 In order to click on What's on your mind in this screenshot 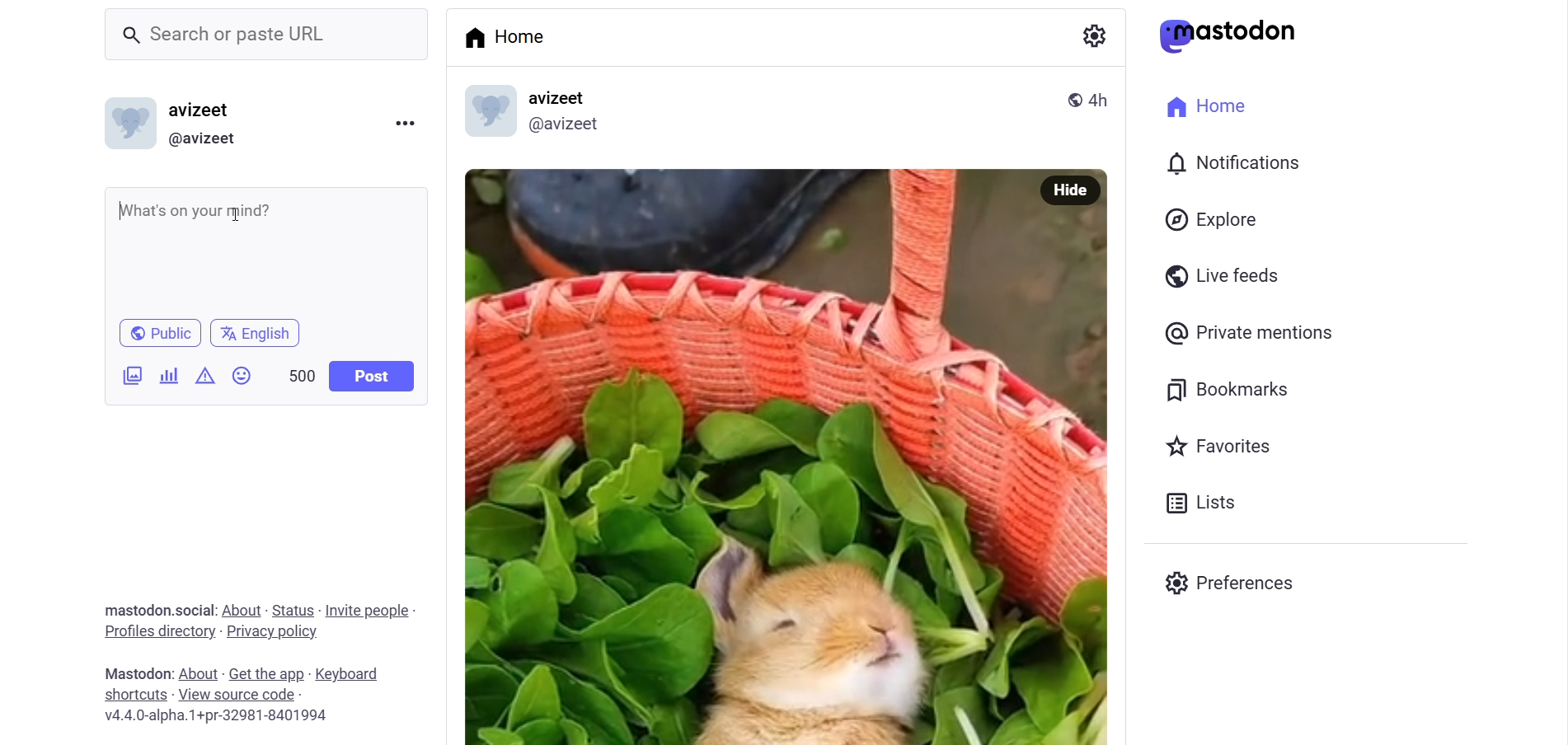, I will do `click(261, 254)`.